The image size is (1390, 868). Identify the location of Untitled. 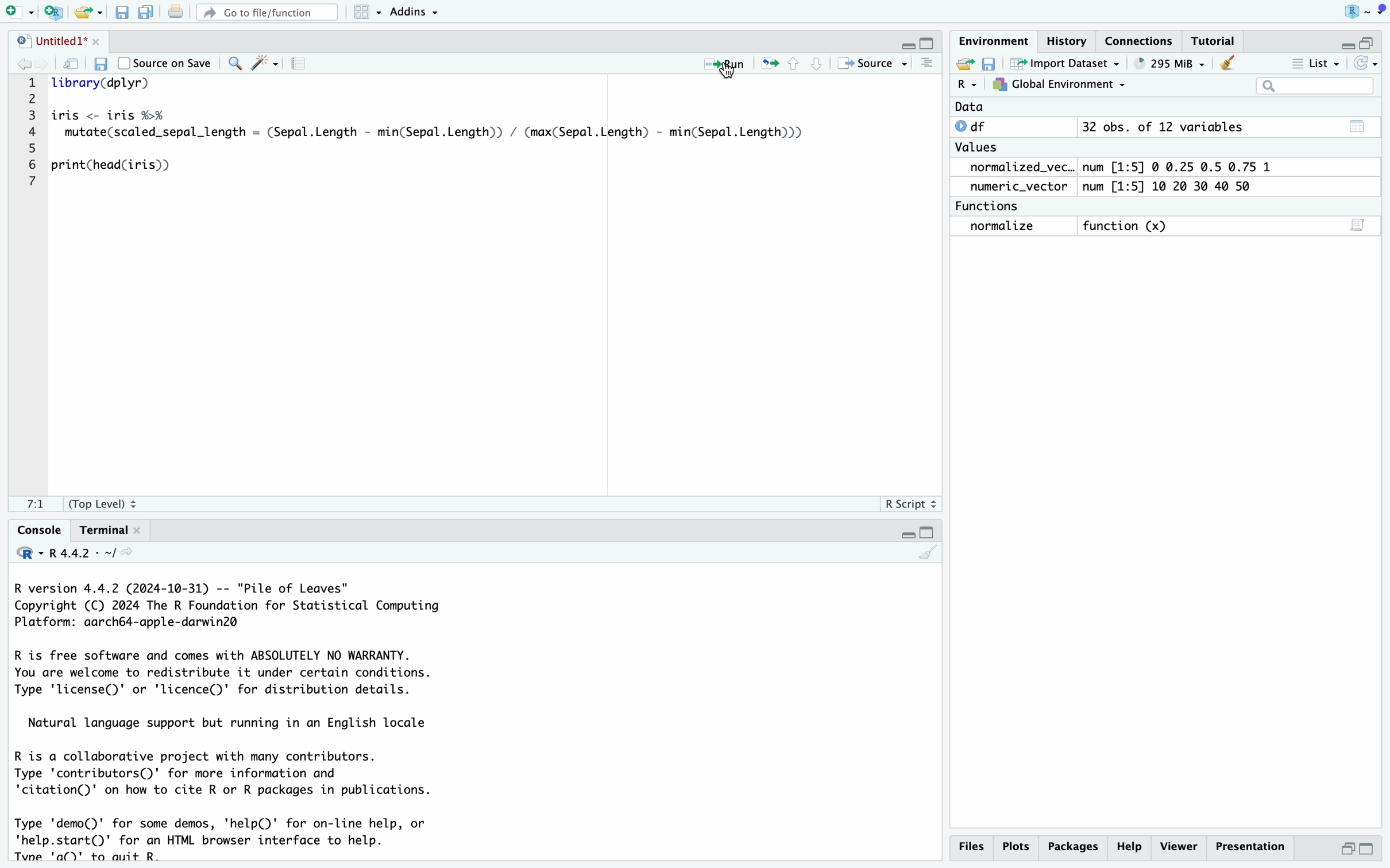
(55, 41).